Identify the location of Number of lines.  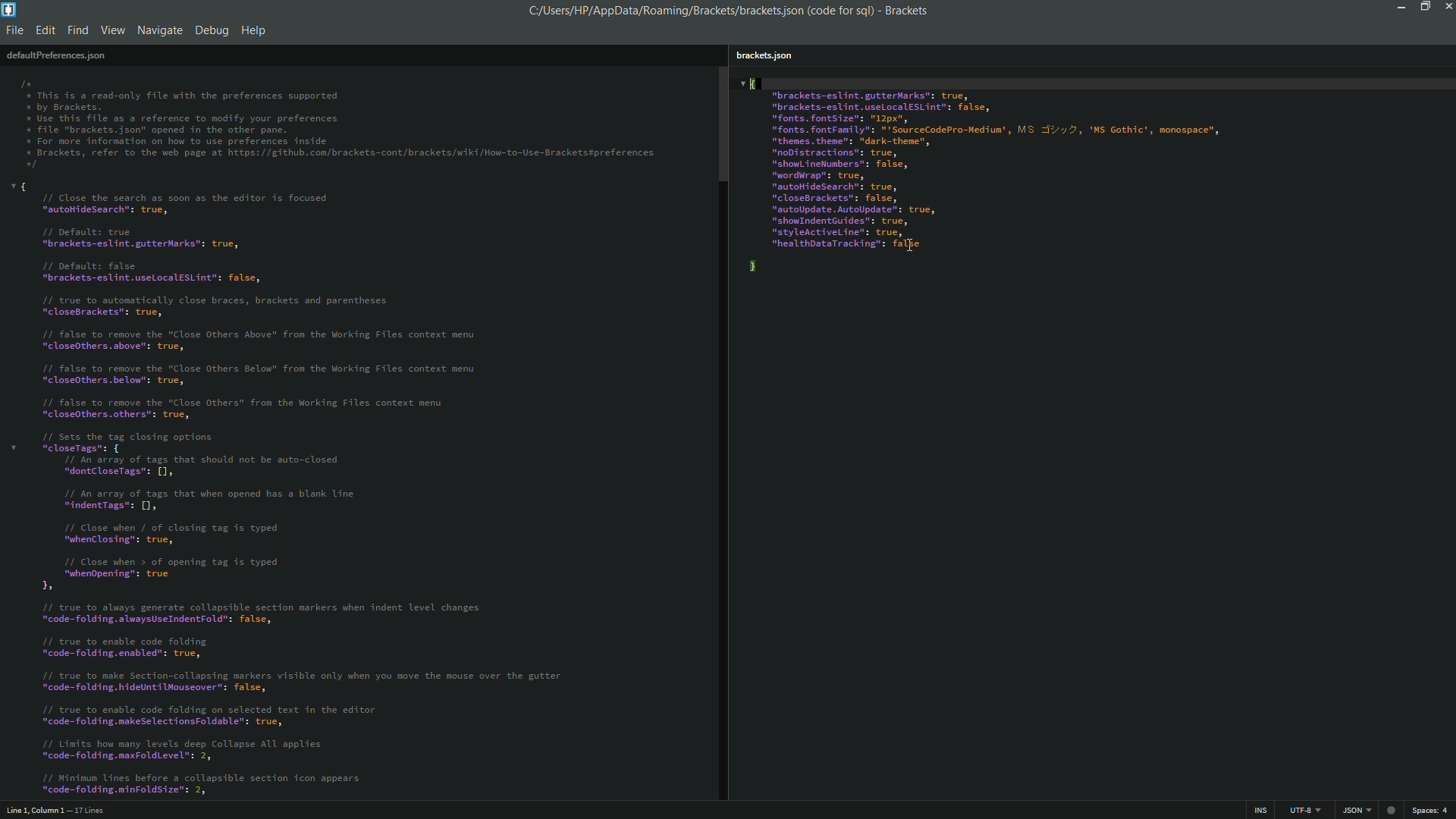
(101, 810).